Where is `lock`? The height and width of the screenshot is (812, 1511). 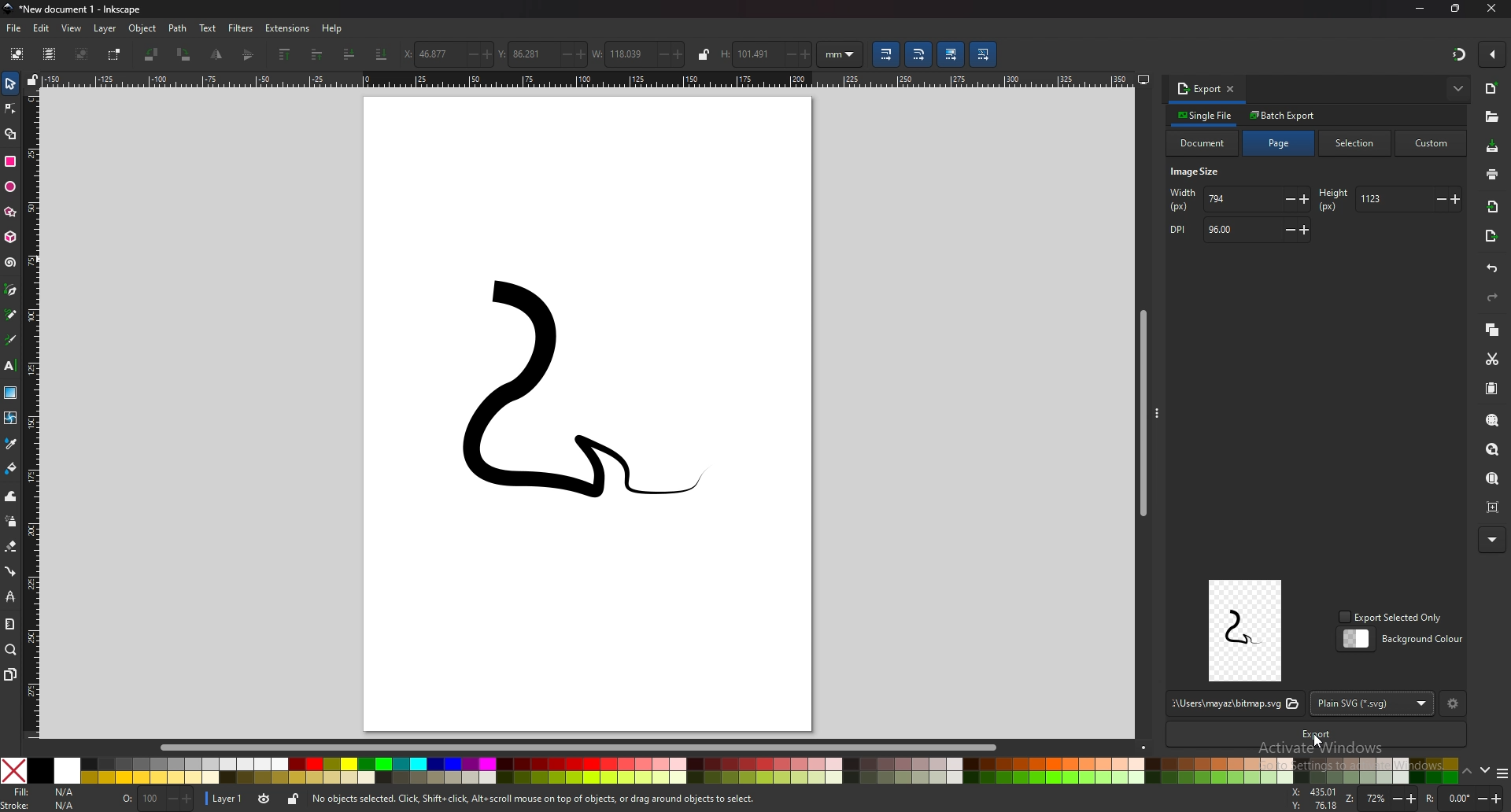 lock is located at coordinates (704, 54).